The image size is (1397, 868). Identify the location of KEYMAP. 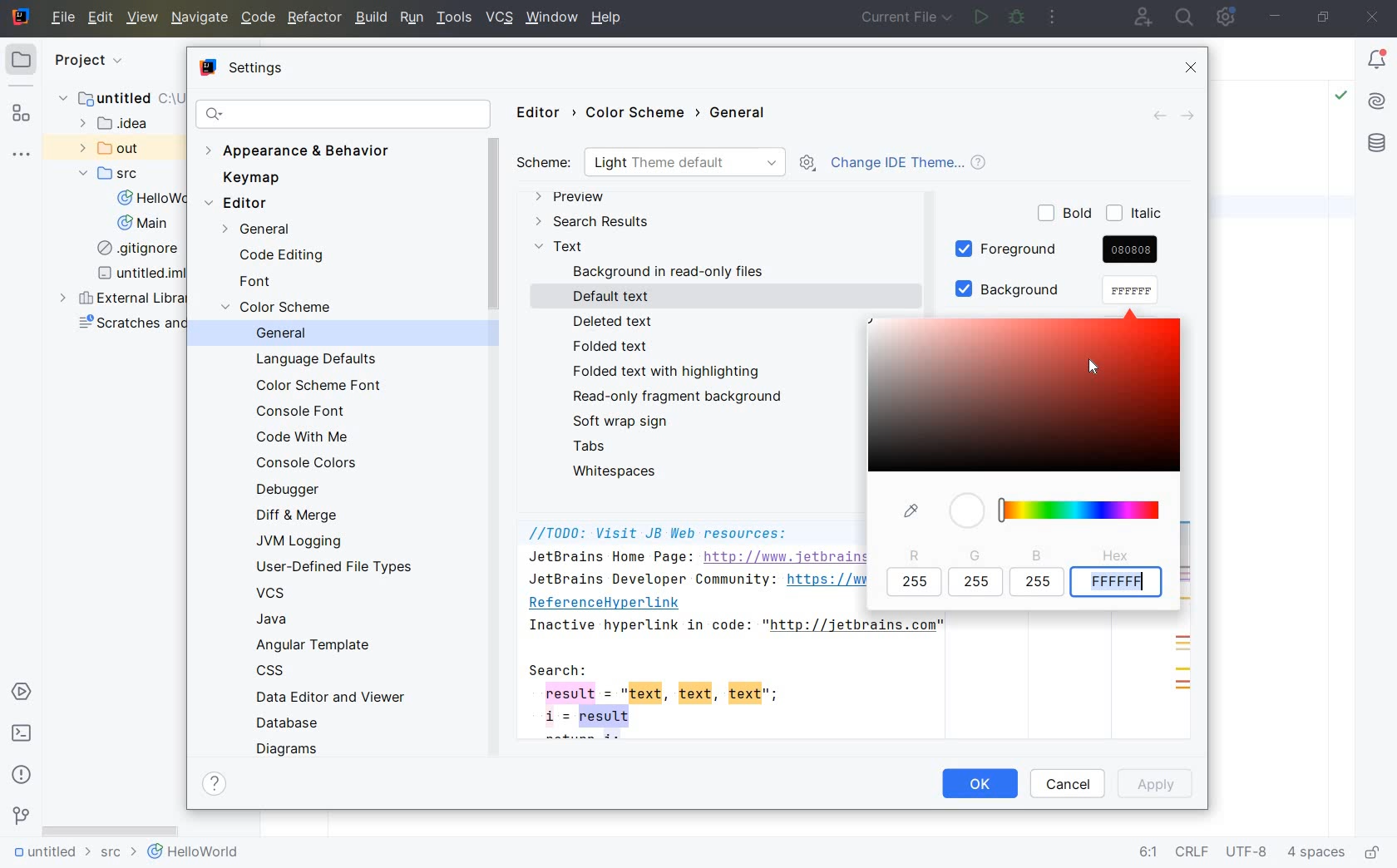
(255, 178).